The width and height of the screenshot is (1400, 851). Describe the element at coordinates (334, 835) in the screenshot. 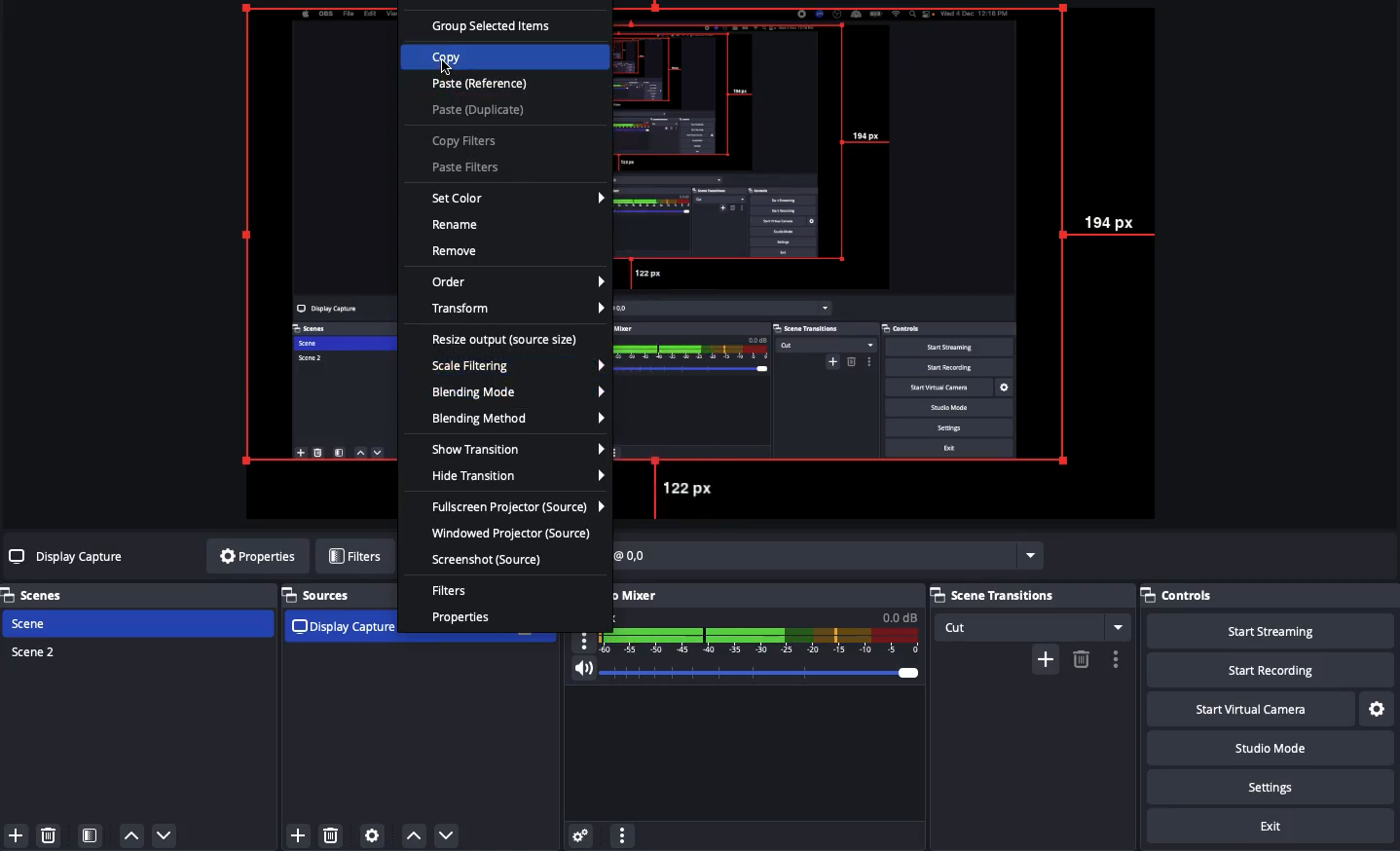

I see `delete` at that location.